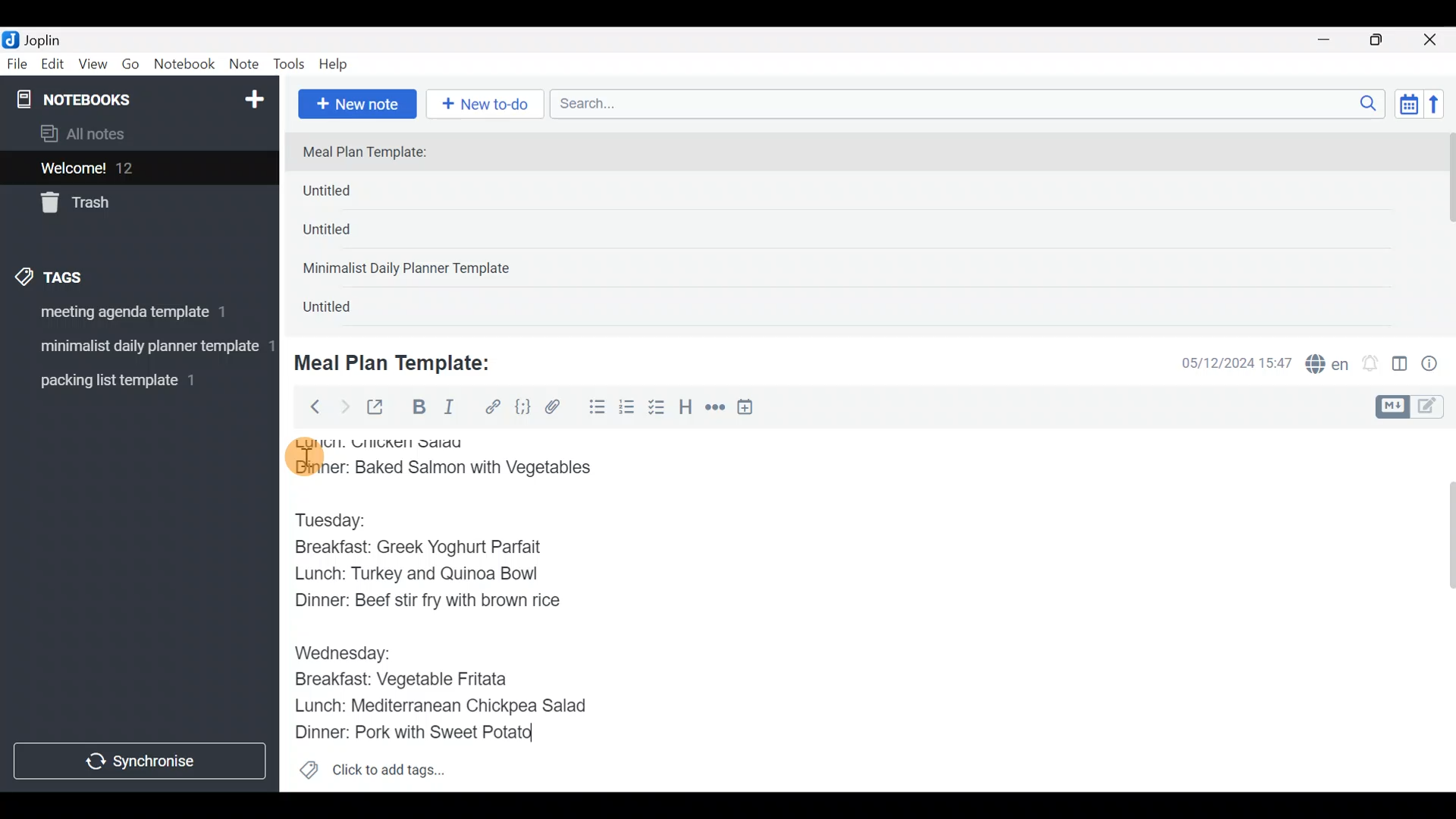 Image resolution: width=1456 pixels, height=819 pixels. What do you see at coordinates (431, 733) in the screenshot?
I see `Dinner: Pork with Sweet Potato` at bounding box center [431, 733].